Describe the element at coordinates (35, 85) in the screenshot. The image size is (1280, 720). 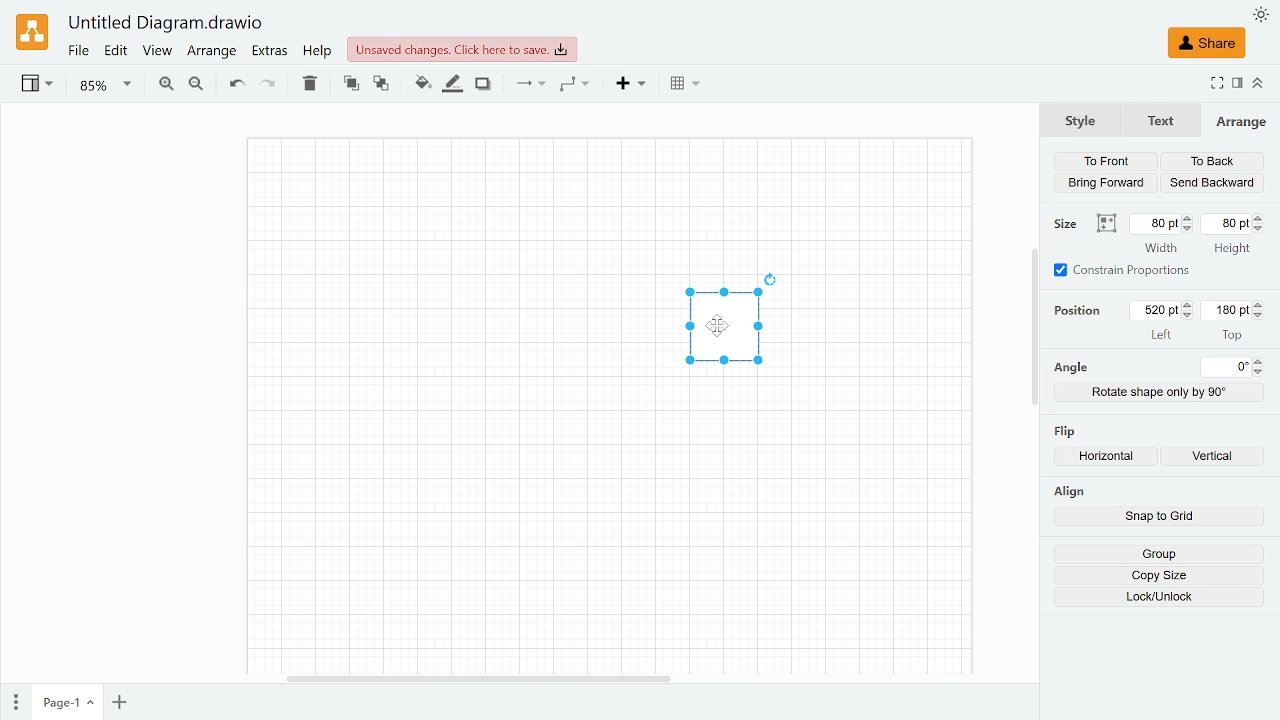
I see `View settings` at that location.